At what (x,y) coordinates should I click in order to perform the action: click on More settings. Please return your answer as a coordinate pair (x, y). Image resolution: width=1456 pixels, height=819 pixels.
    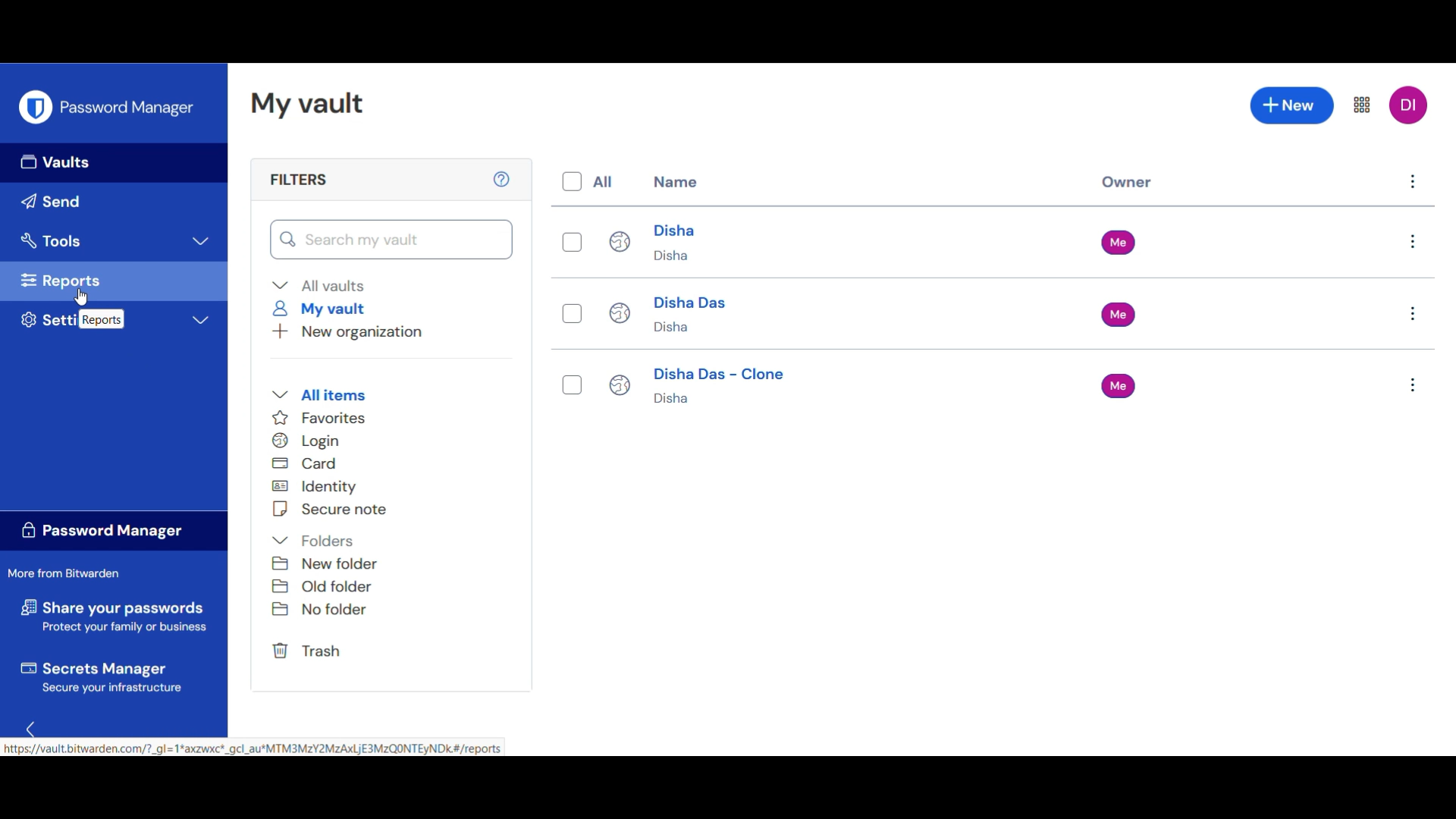
    Looking at the image, I should click on (1364, 103).